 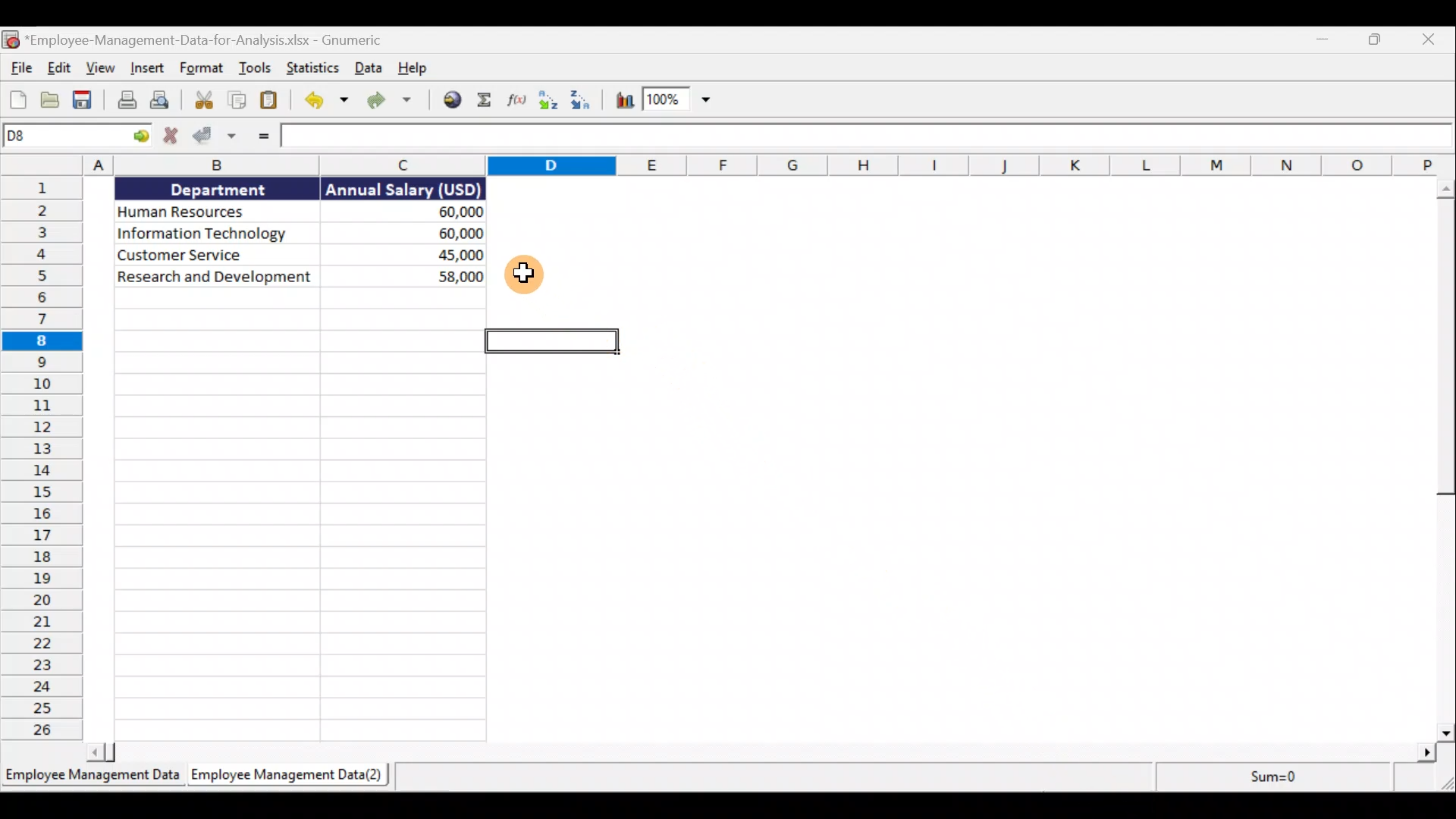 What do you see at coordinates (52, 99) in the screenshot?
I see `Open a file` at bounding box center [52, 99].